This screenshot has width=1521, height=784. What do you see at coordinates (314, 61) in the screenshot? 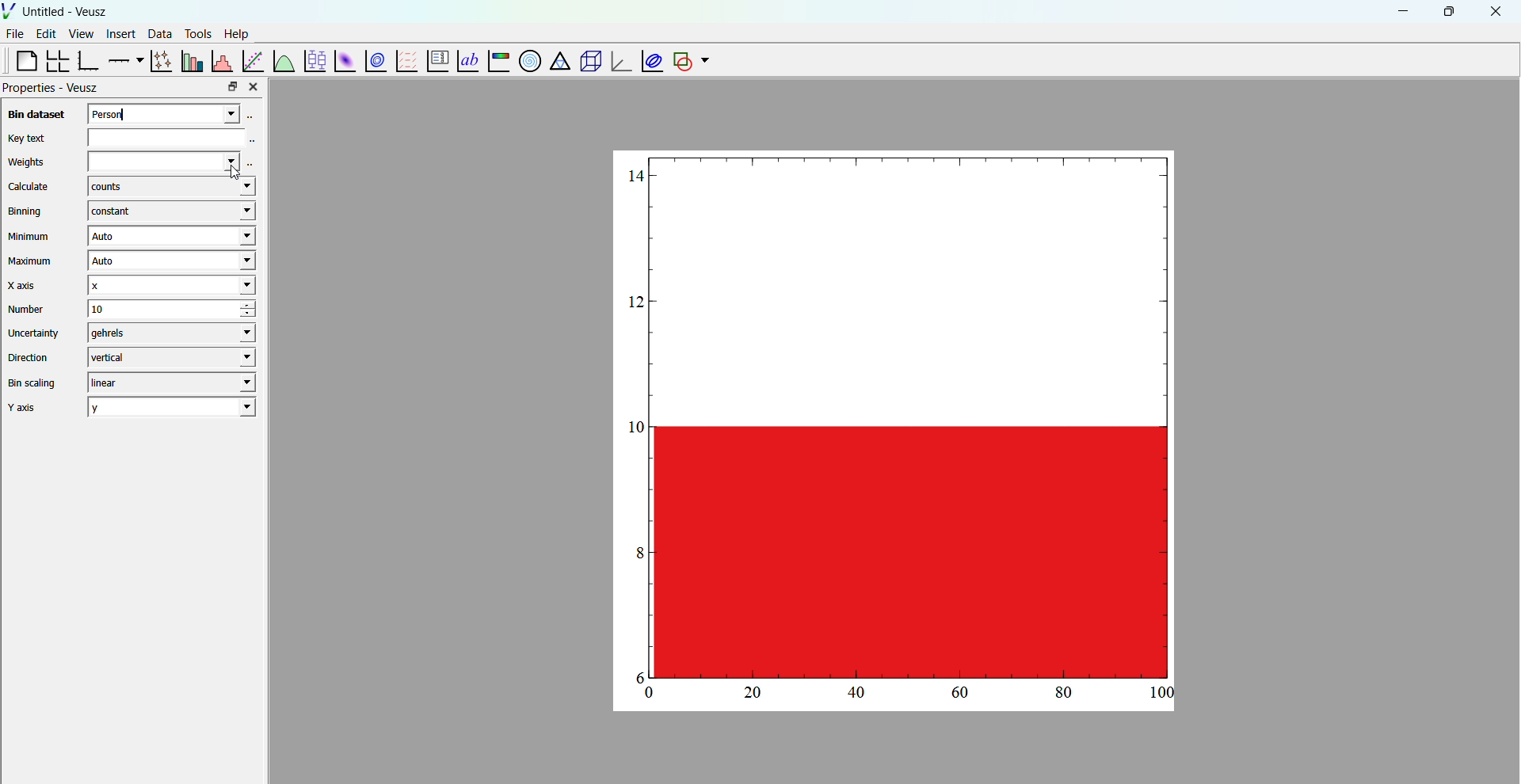
I see `plot box plots` at bounding box center [314, 61].